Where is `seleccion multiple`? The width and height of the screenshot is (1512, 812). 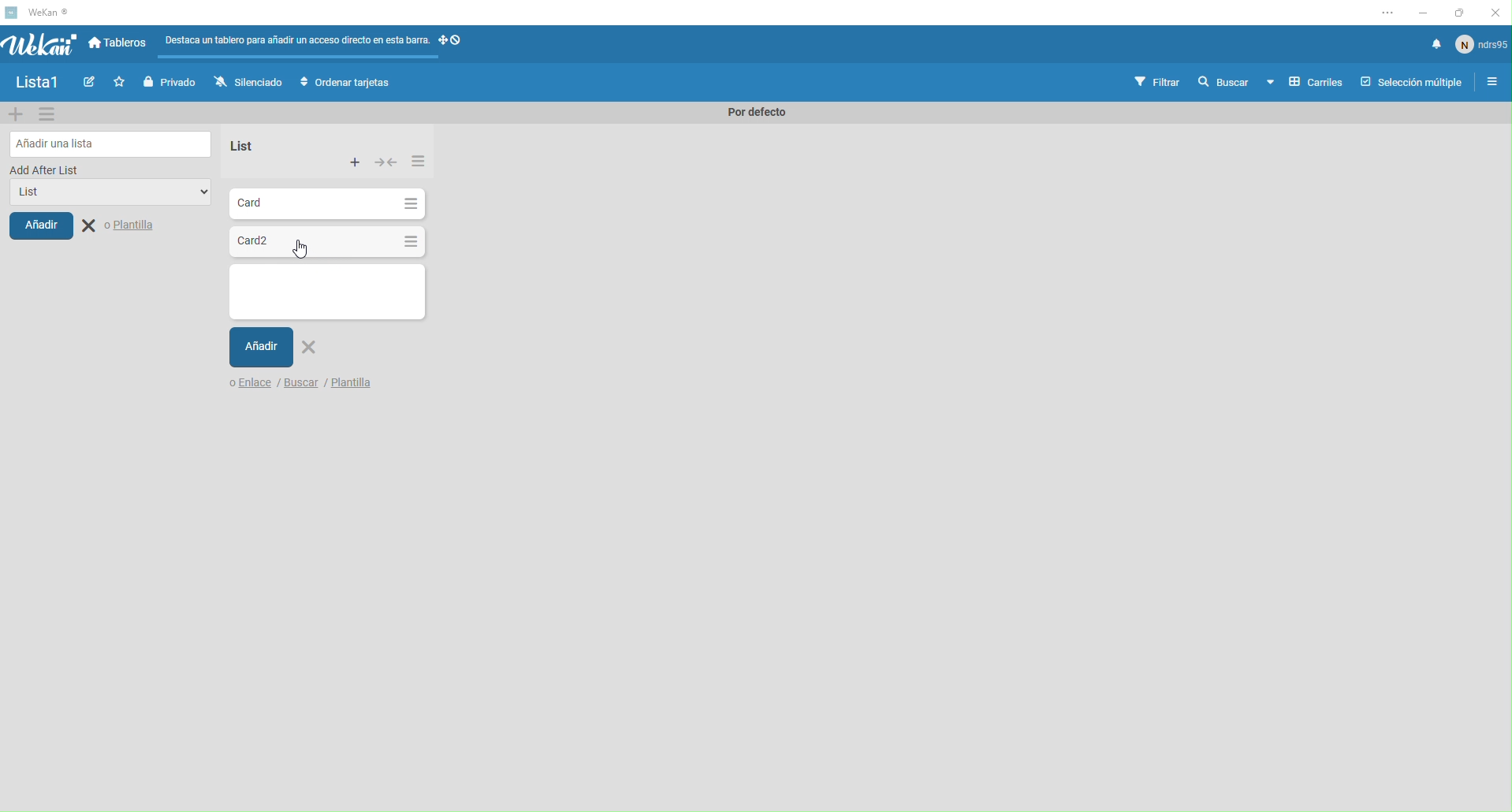
seleccion multiple is located at coordinates (1407, 82).